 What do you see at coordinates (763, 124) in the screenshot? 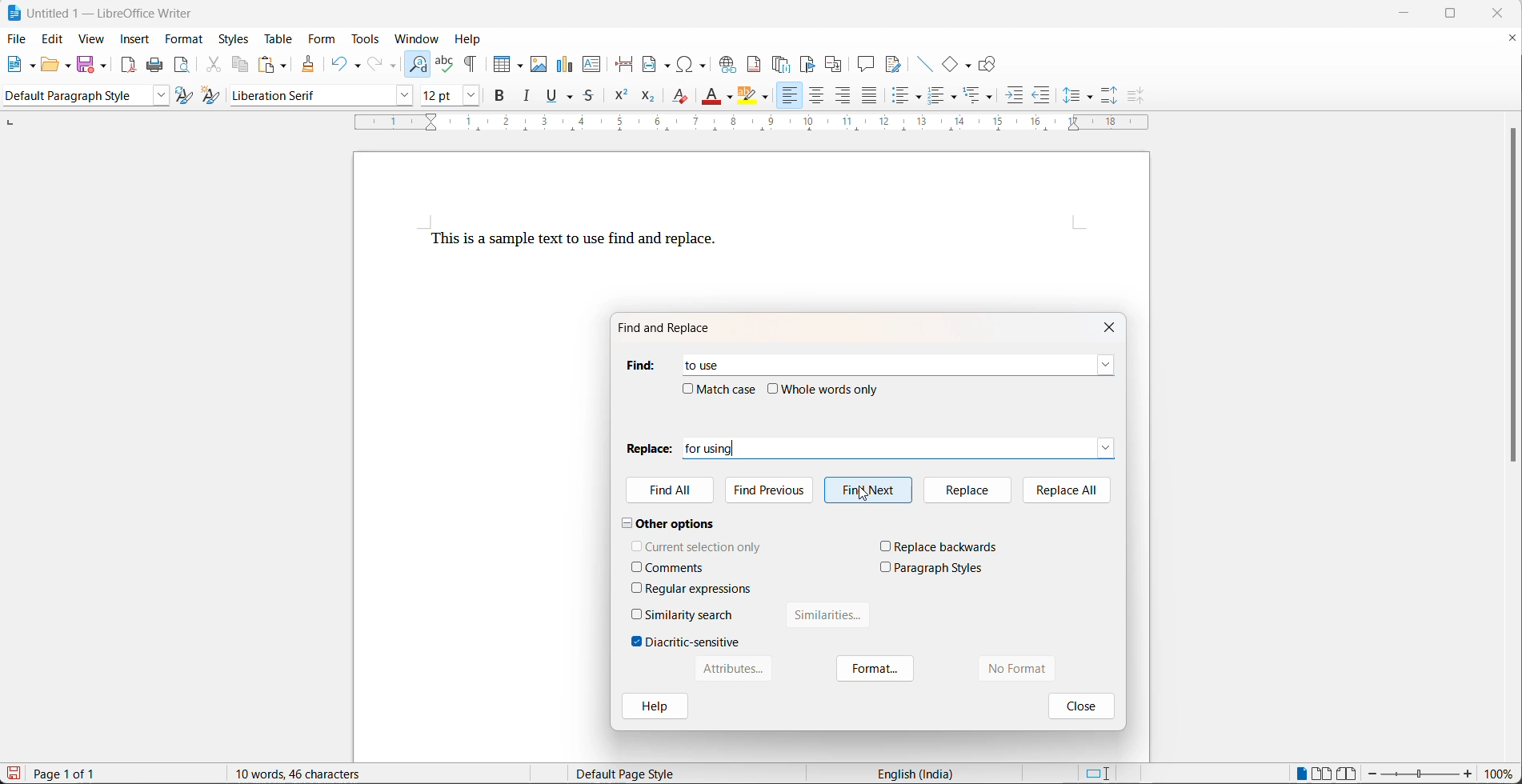
I see `scaling` at bounding box center [763, 124].